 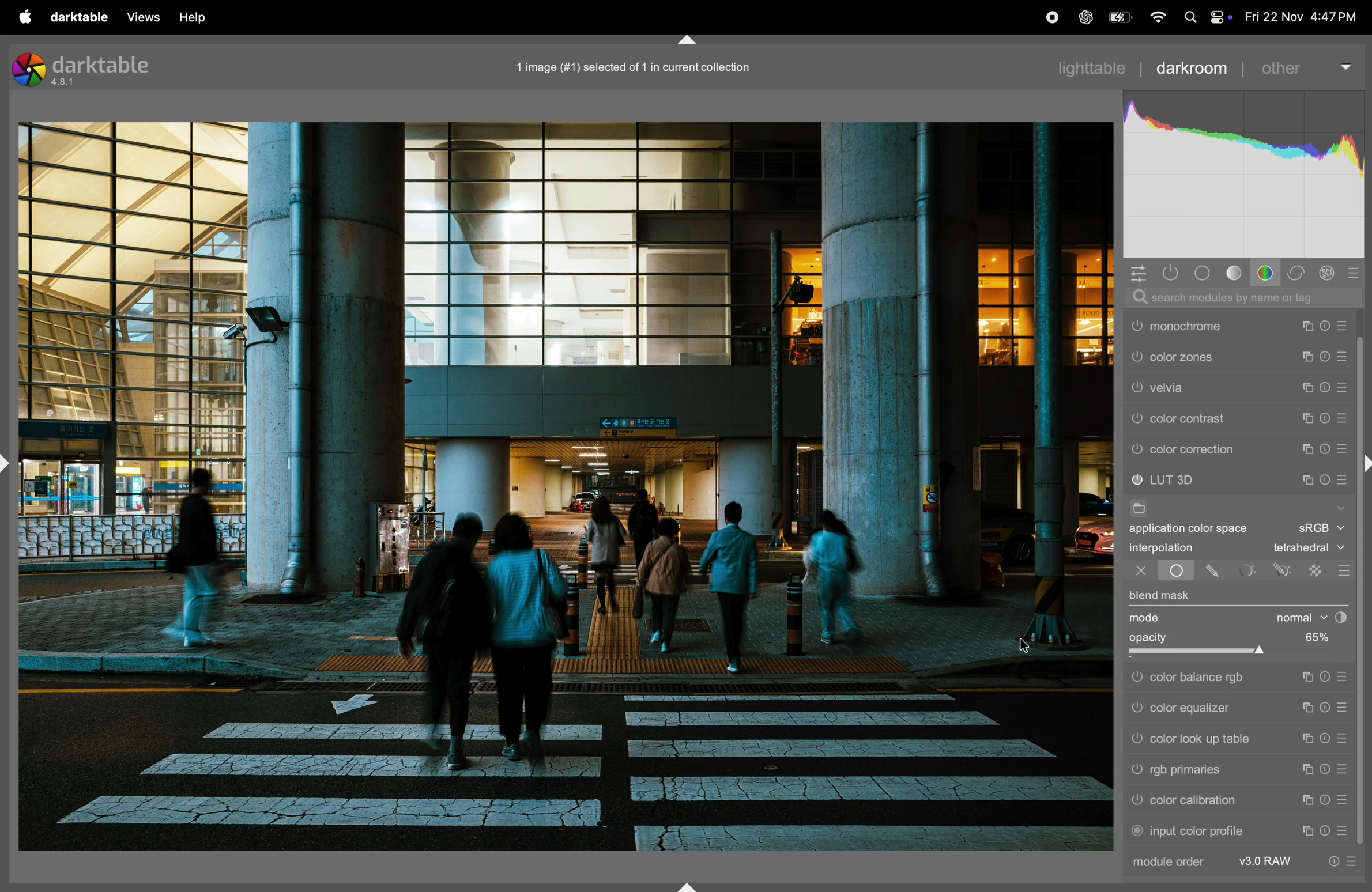 What do you see at coordinates (1347, 860) in the screenshot?
I see `info` at bounding box center [1347, 860].